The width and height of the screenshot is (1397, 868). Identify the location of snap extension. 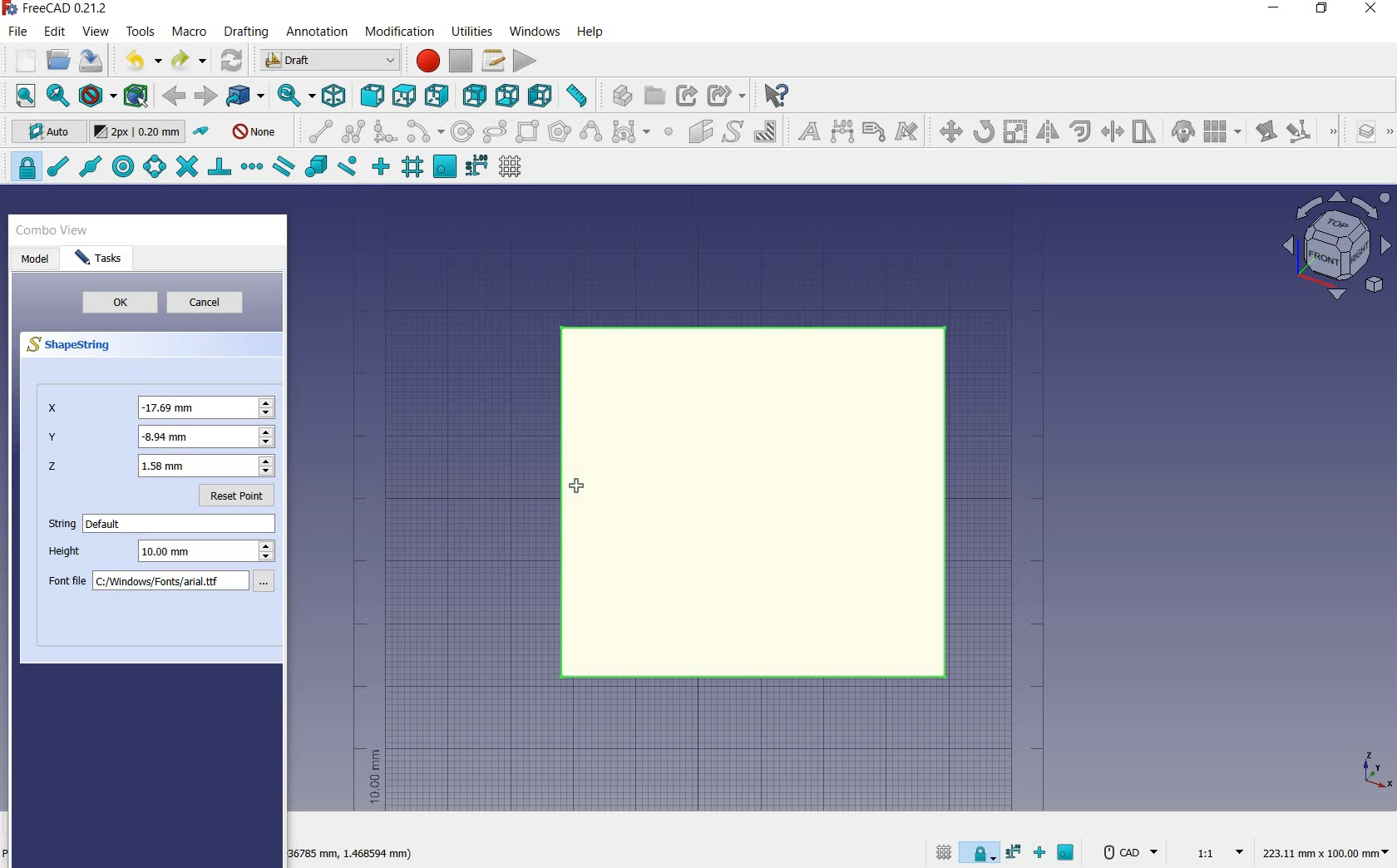
(251, 167).